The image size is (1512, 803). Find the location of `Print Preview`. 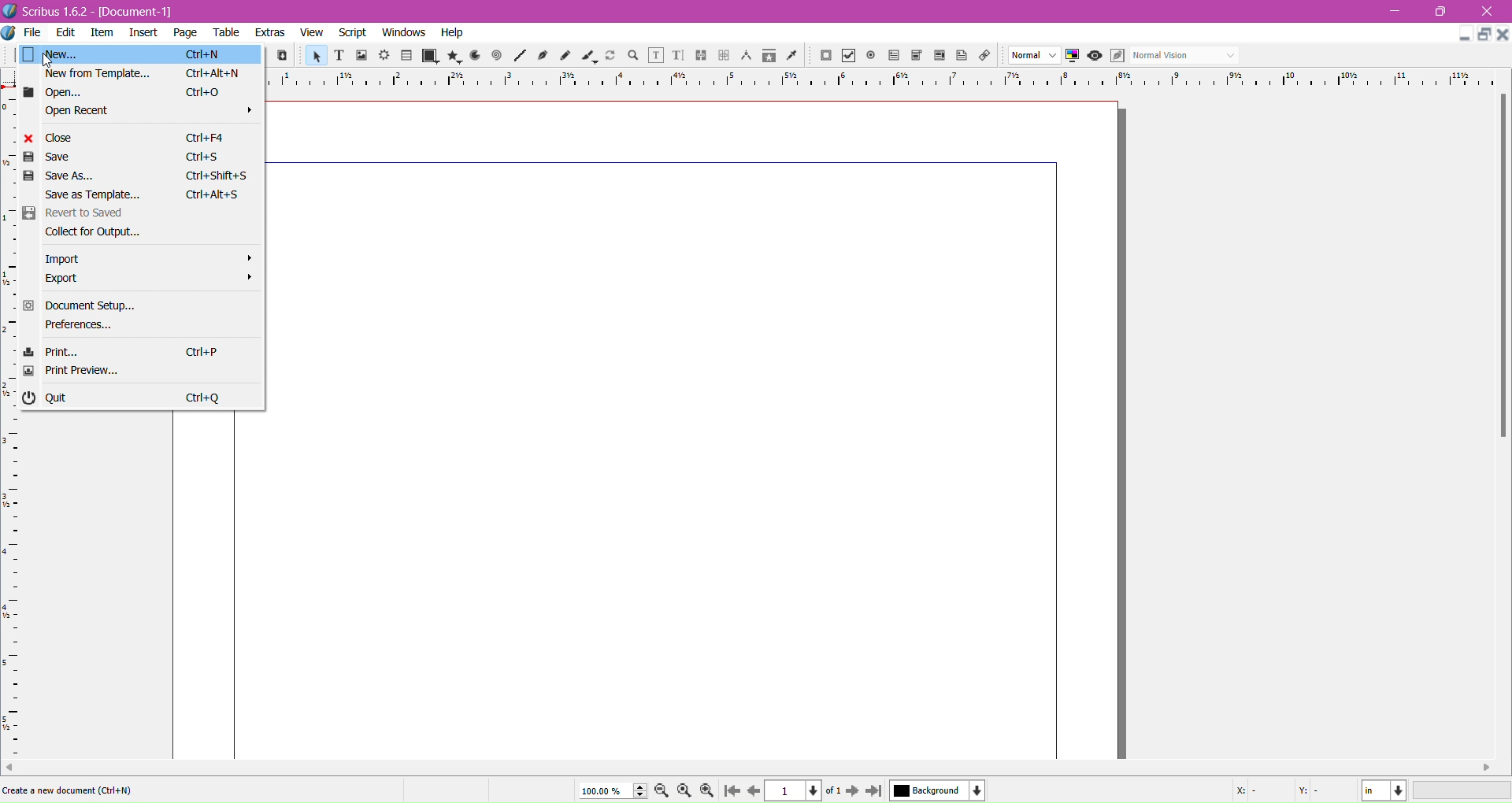

Print Preview is located at coordinates (142, 371).